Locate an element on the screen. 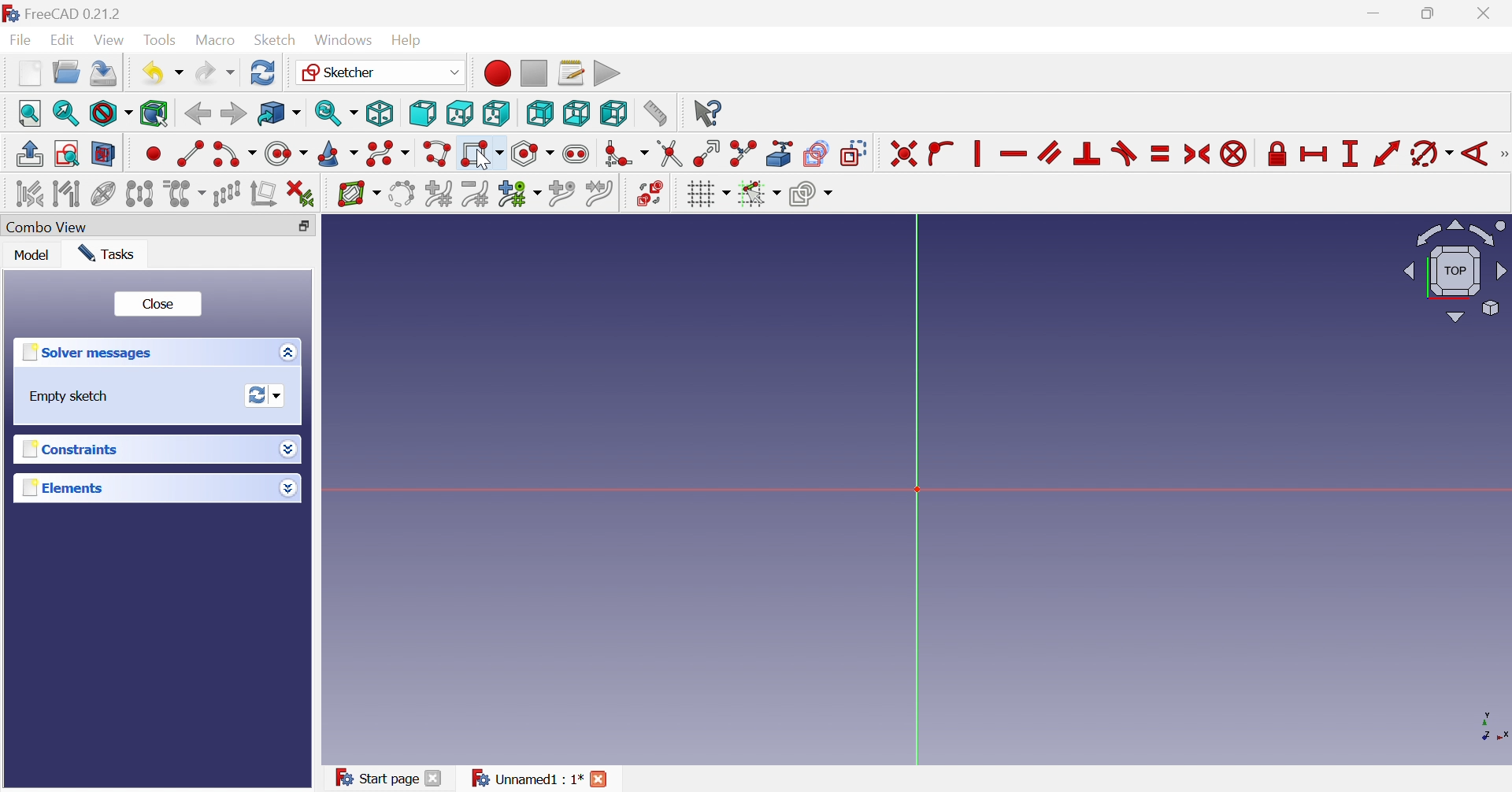 This screenshot has height=792, width=1512. Constrain block is located at coordinates (1233, 154).